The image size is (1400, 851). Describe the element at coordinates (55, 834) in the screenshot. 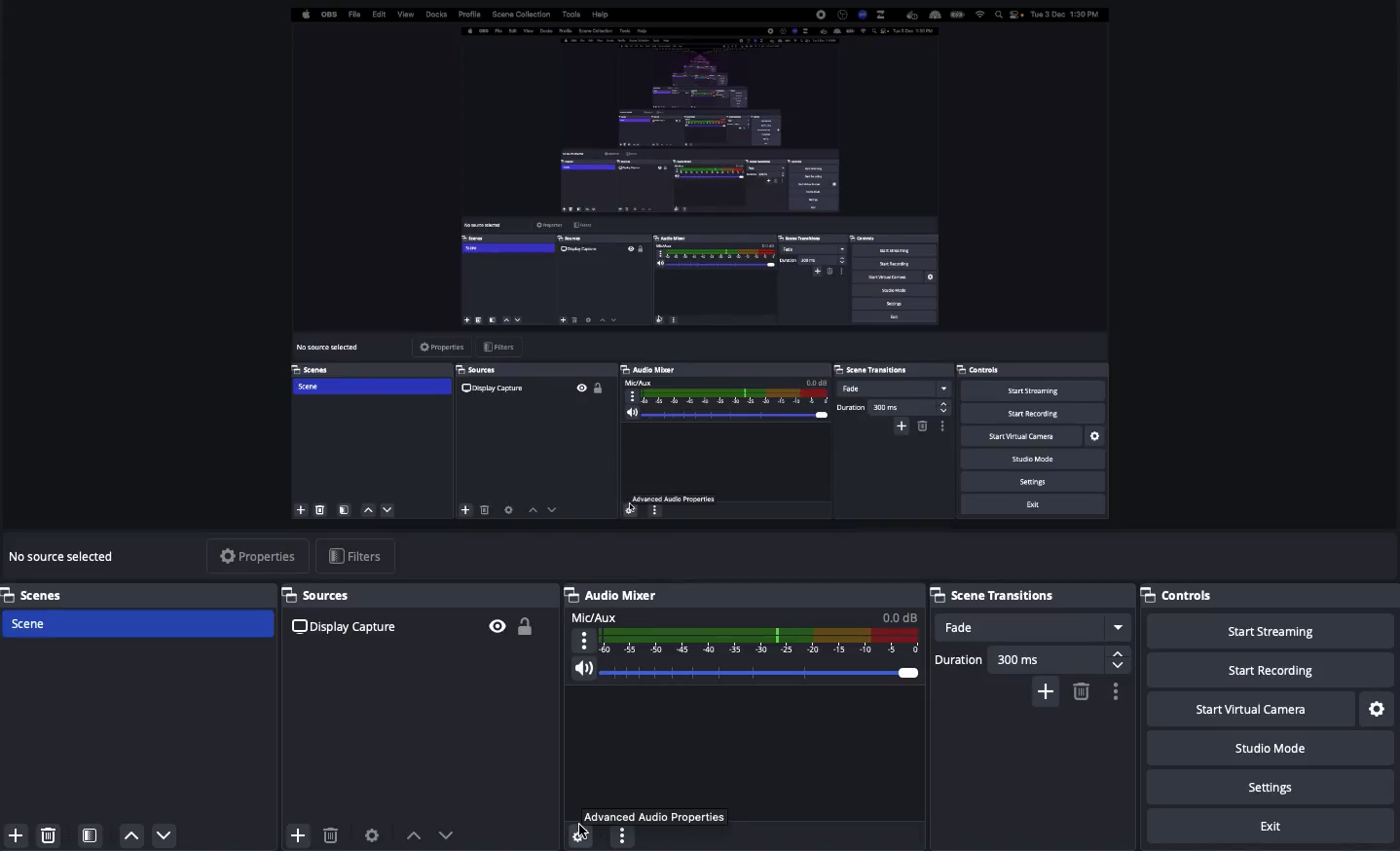

I see `delete` at that location.